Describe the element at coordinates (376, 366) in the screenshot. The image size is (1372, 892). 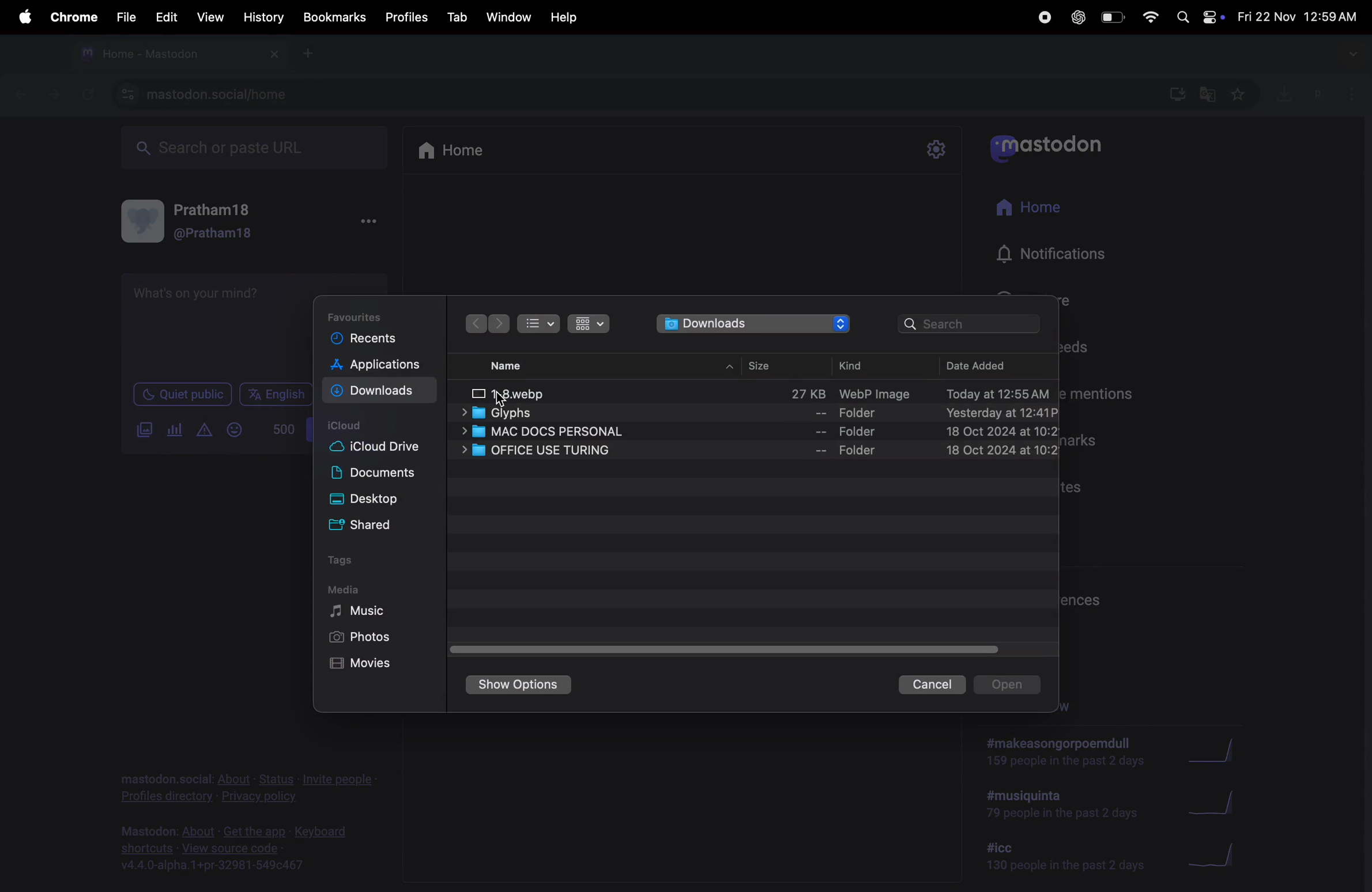
I see `applications` at that location.